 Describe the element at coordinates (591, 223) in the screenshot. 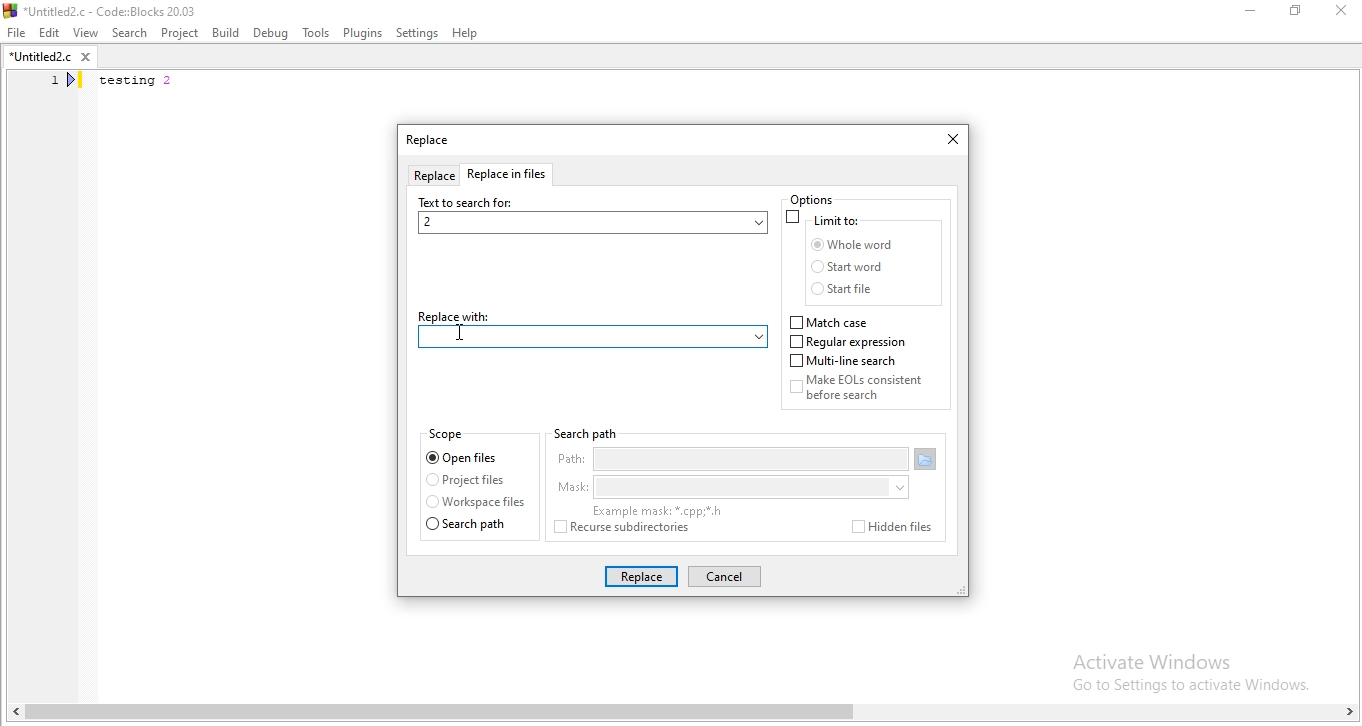

I see `2` at that location.